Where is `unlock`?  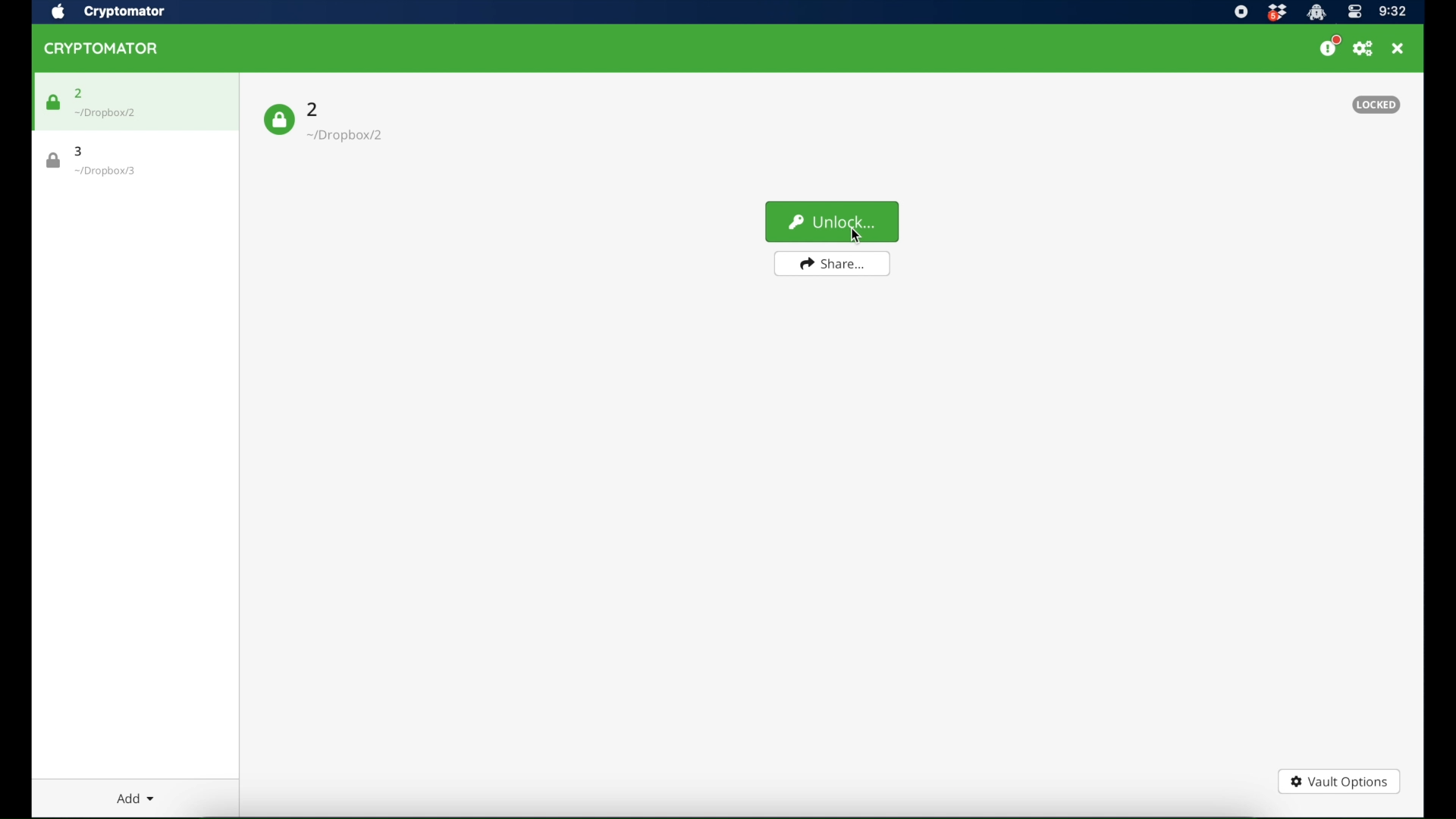
unlock is located at coordinates (833, 221).